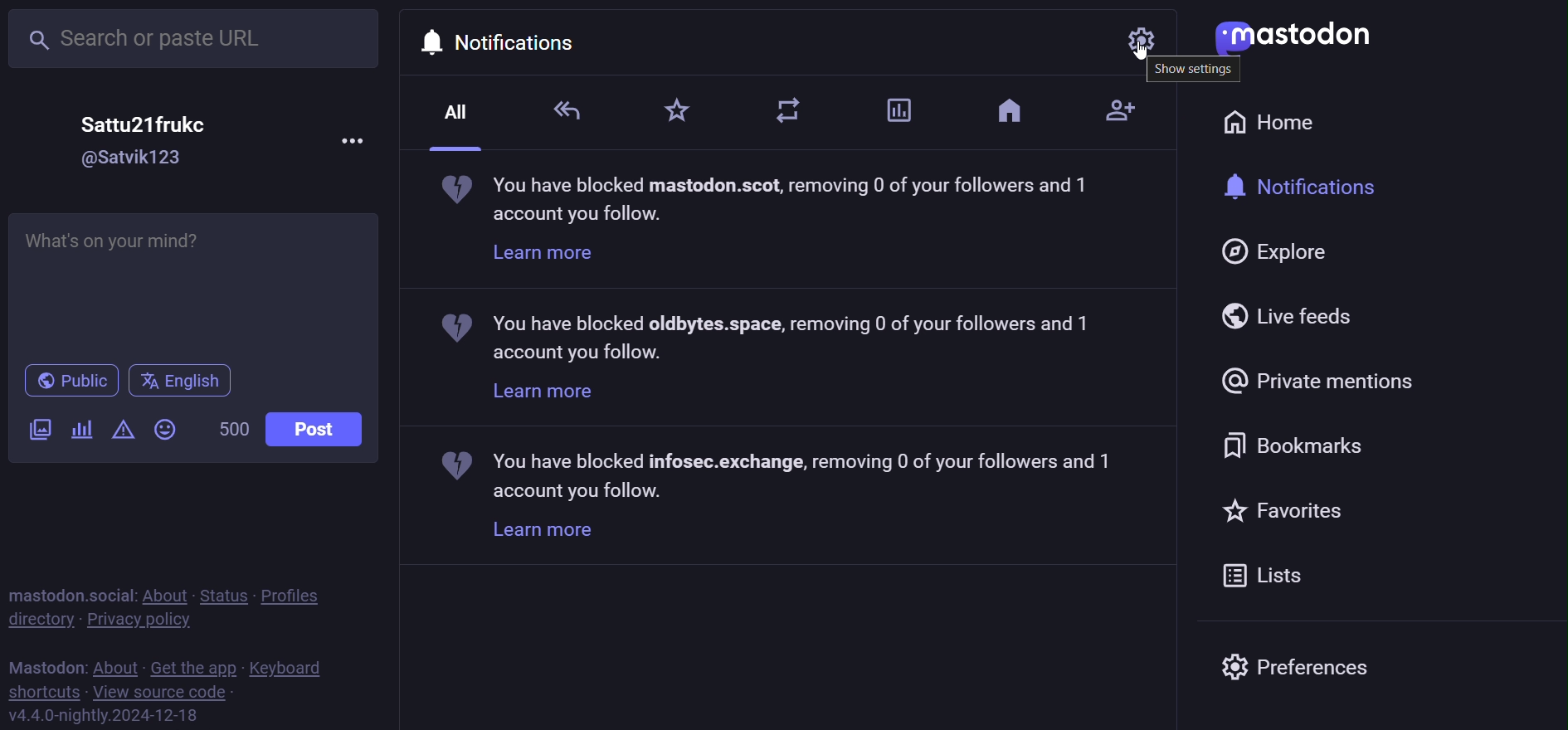 The height and width of the screenshot is (730, 1568). What do you see at coordinates (544, 391) in the screenshot?
I see `learn more` at bounding box center [544, 391].